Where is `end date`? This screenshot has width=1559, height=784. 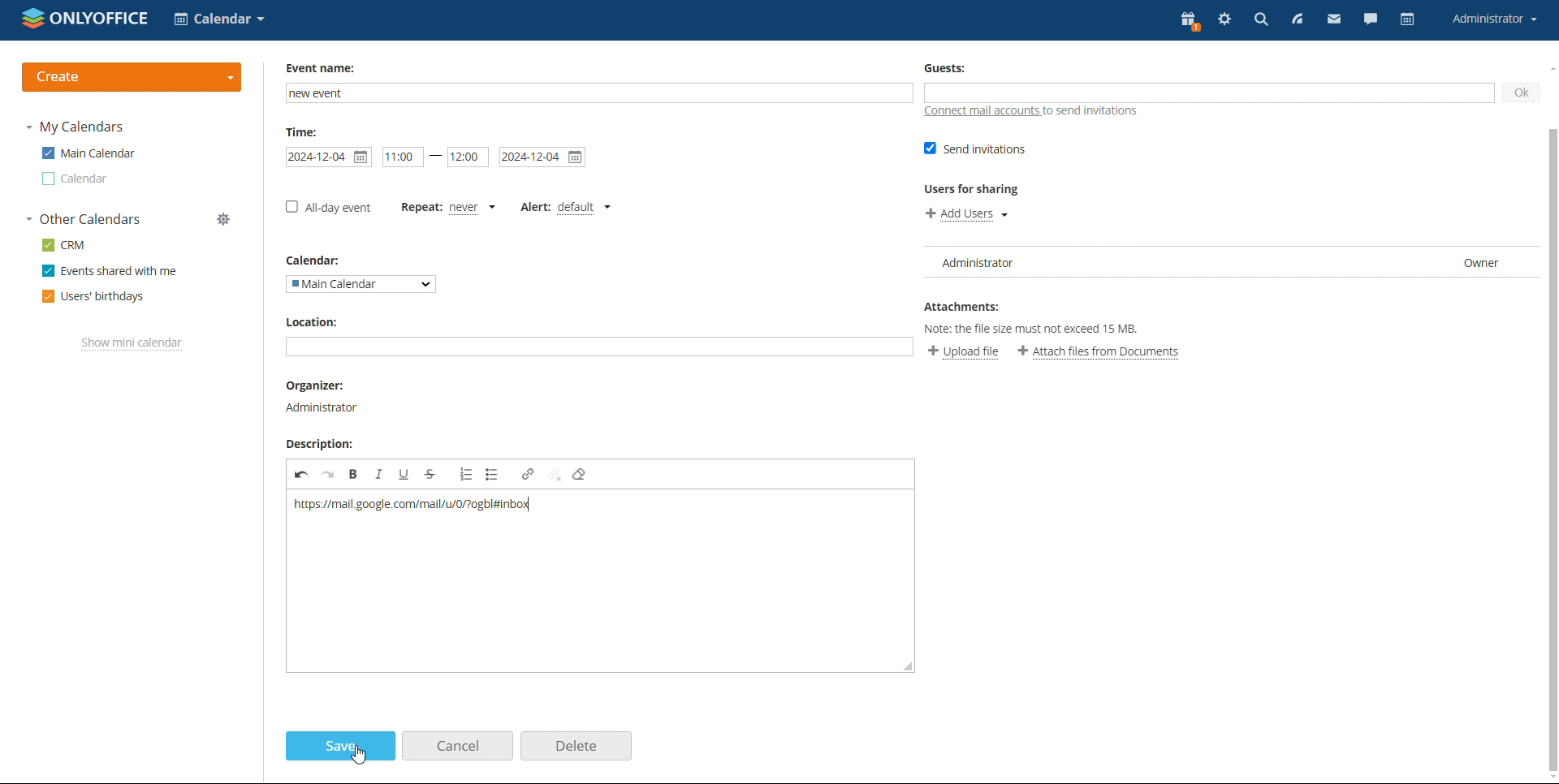 end date is located at coordinates (542, 155).